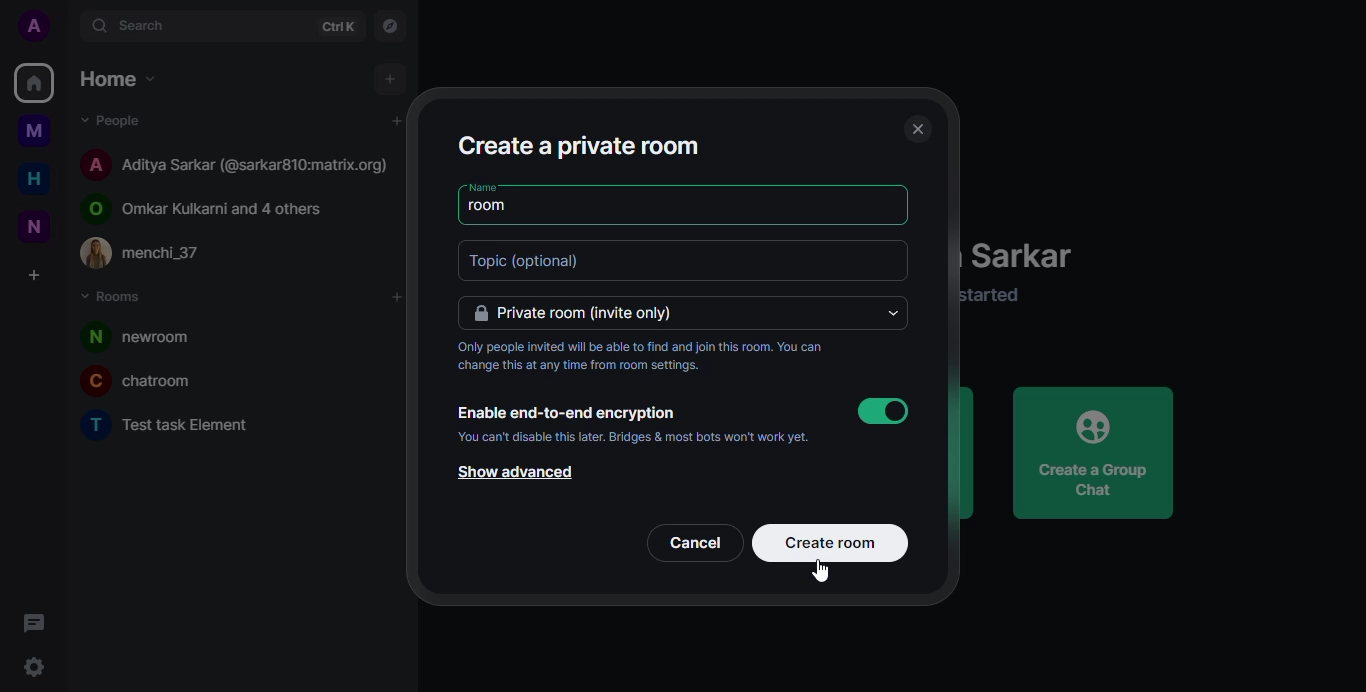 The height and width of the screenshot is (692, 1366). Describe the element at coordinates (175, 427) in the screenshot. I see `Test task element` at that location.